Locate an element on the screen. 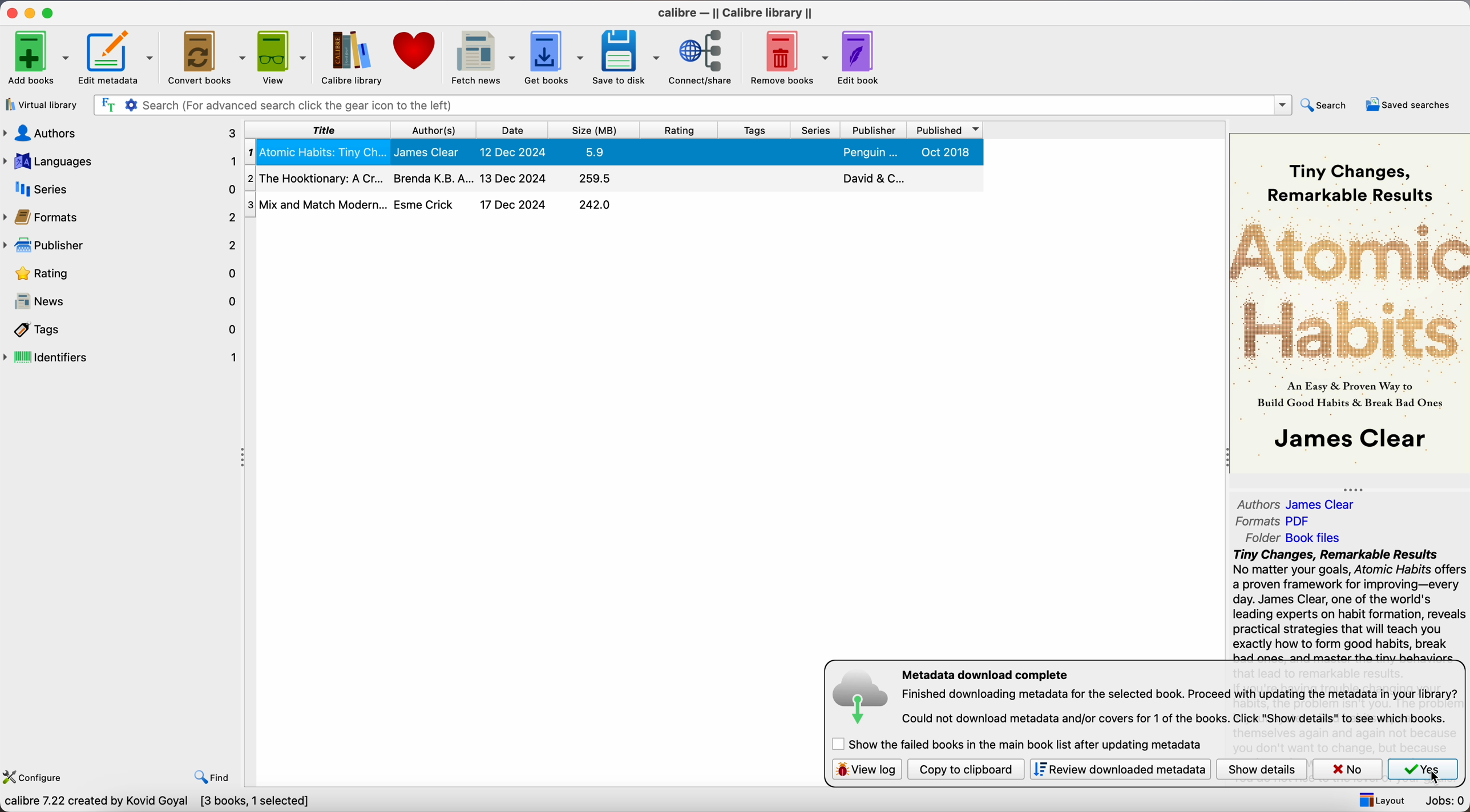  Oct 2018 is located at coordinates (945, 152).